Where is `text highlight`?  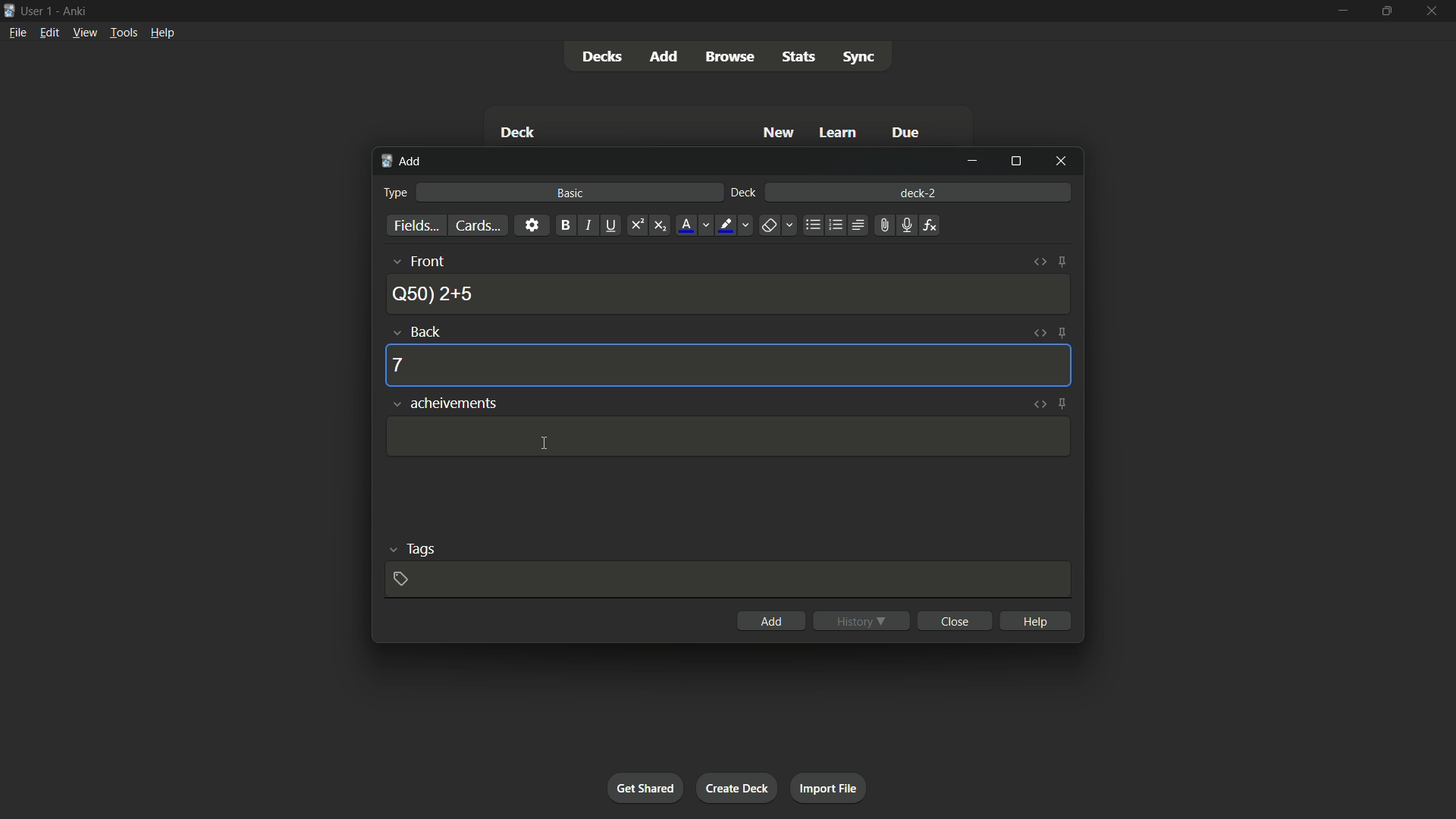 text highlight is located at coordinates (736, 227).